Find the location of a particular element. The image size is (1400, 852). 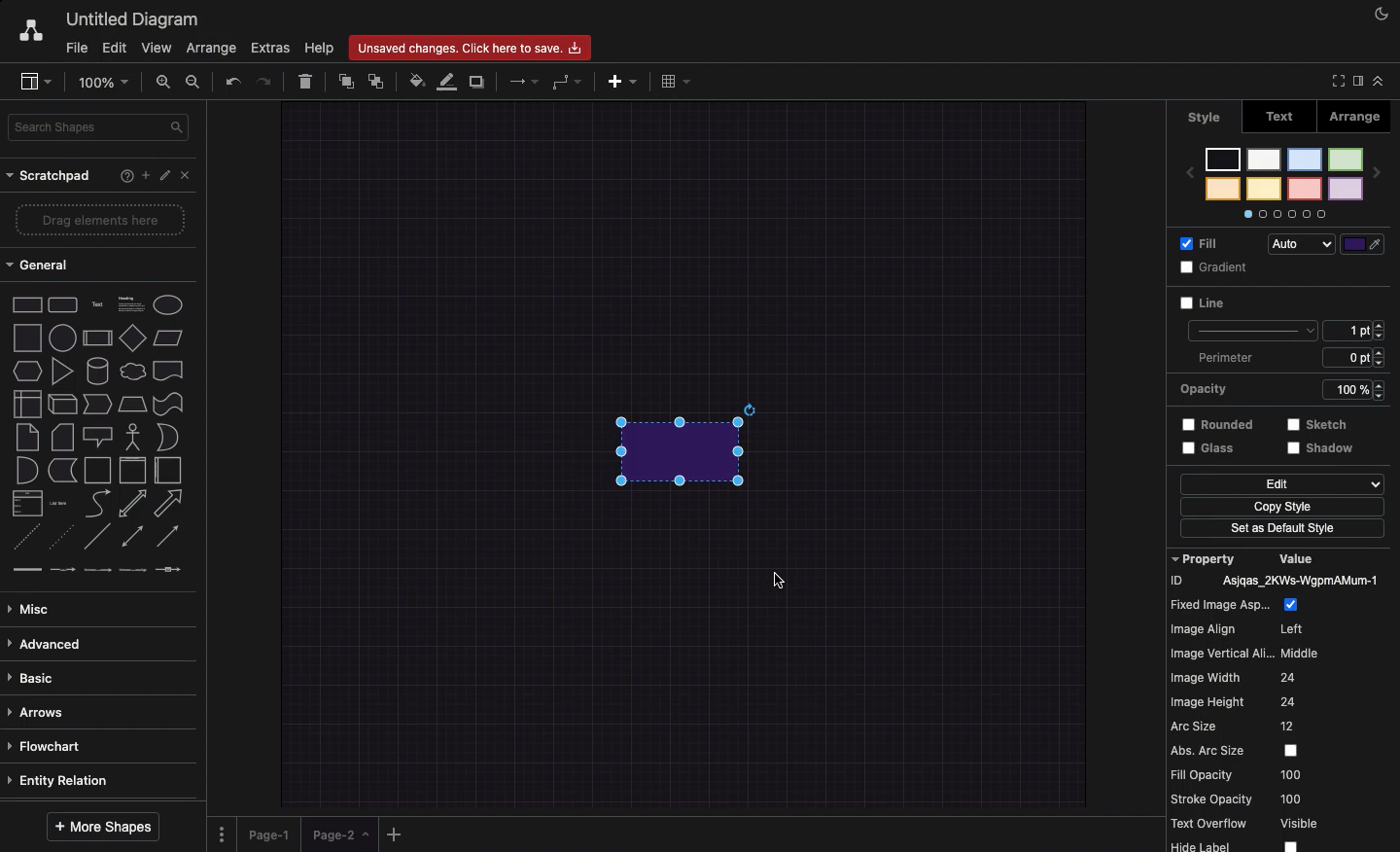

data storage is located at coordinates (61, 470).